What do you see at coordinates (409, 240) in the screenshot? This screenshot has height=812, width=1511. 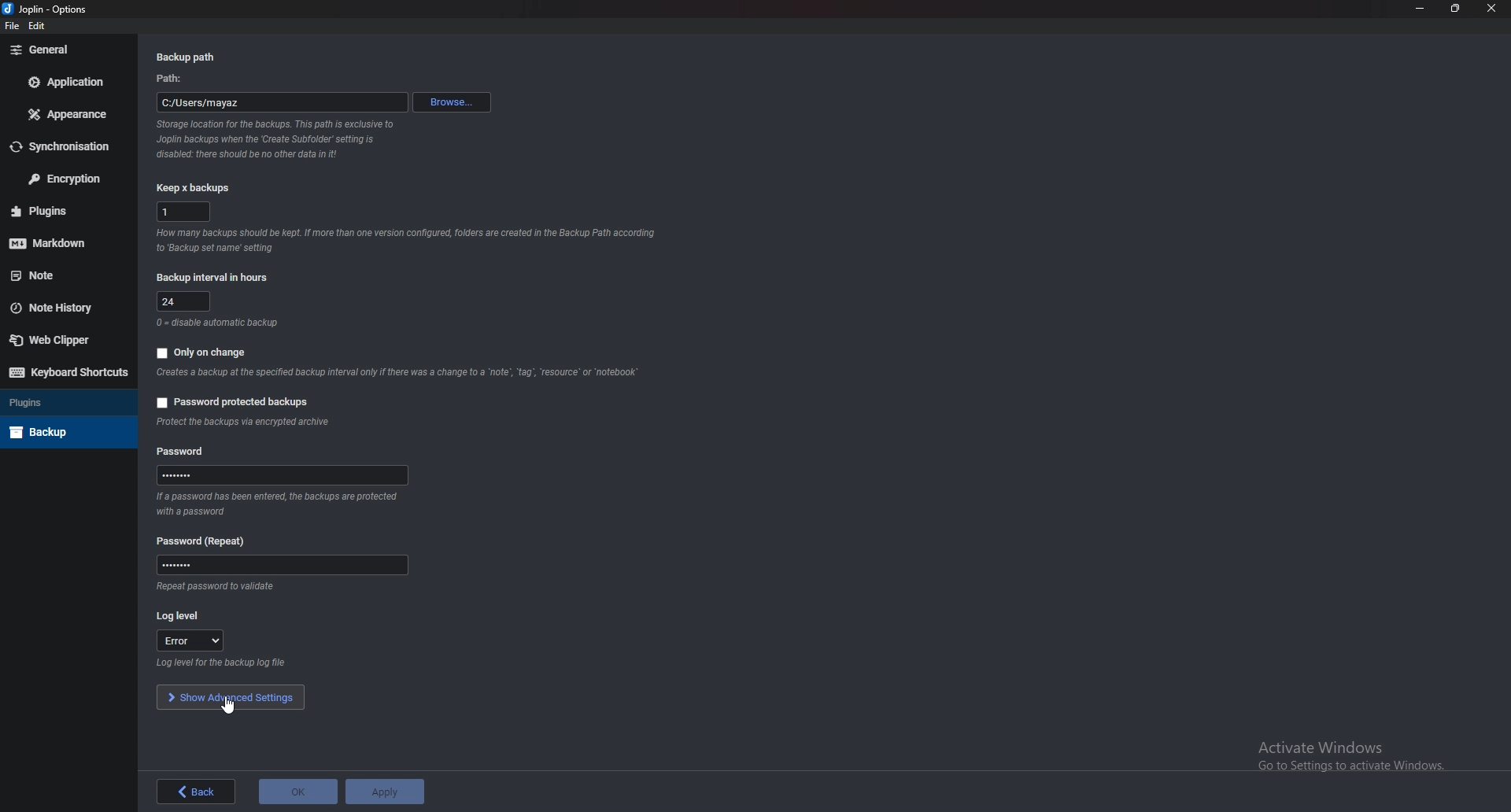 I see `Info` at bounding box center [409, 240].